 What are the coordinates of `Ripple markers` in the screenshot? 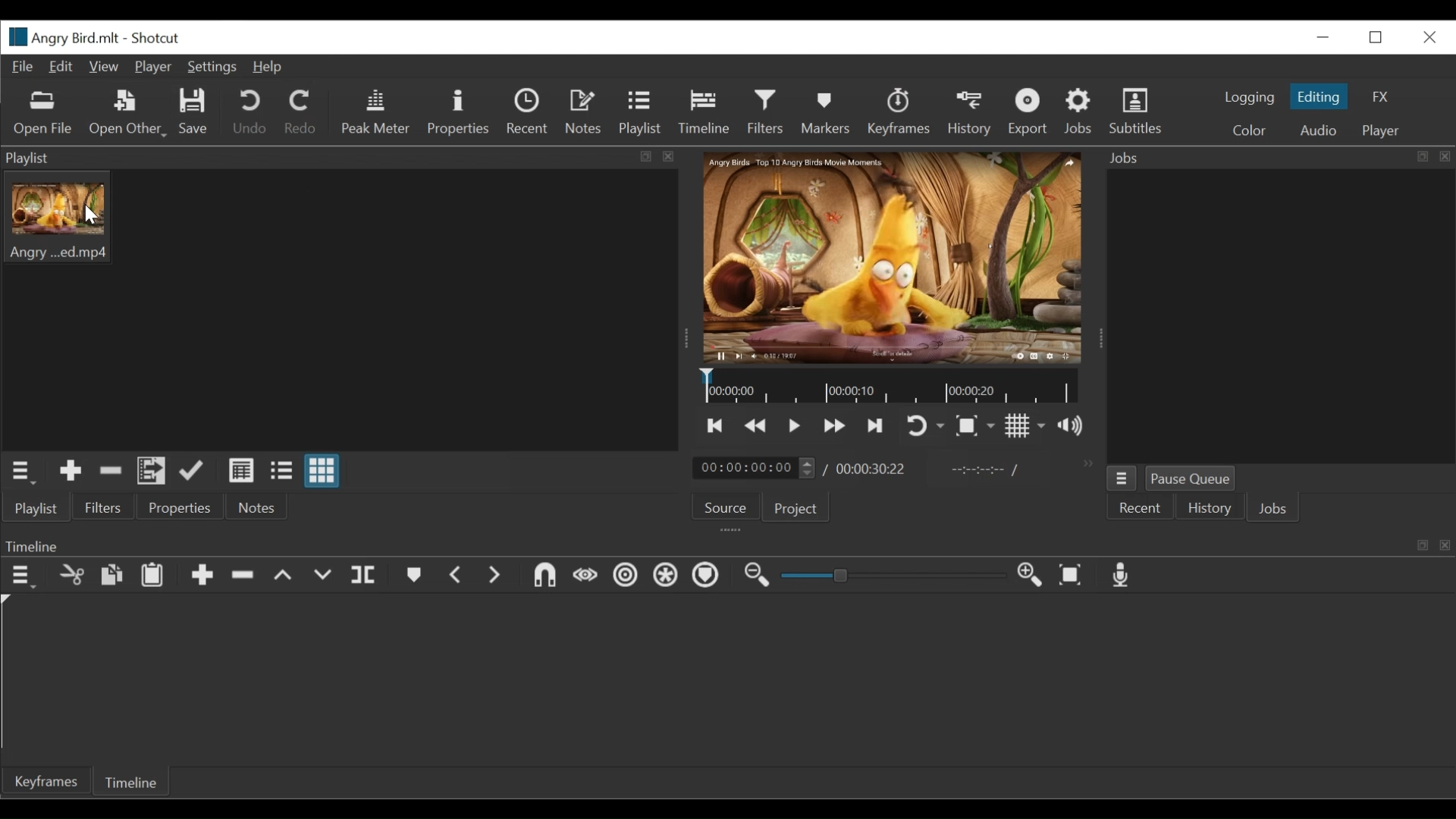 It's located at (704, 576).